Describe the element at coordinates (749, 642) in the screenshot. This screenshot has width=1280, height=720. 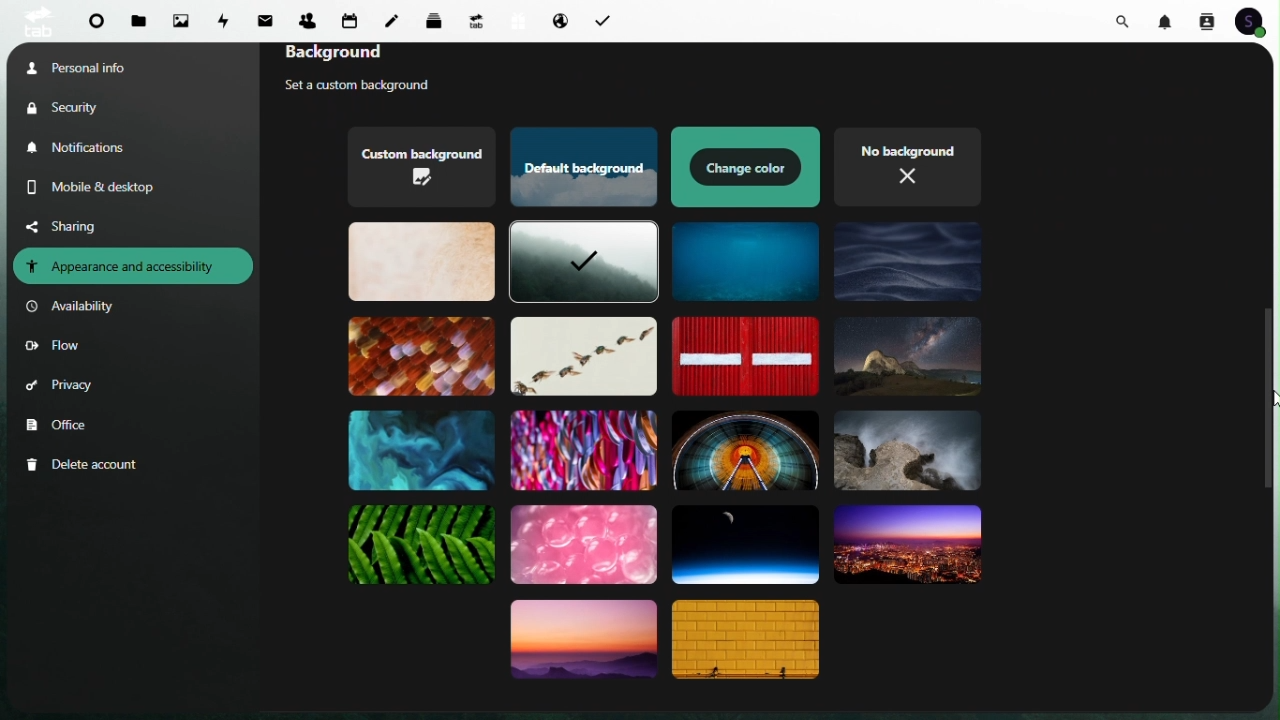
I see `Themes` at that location.